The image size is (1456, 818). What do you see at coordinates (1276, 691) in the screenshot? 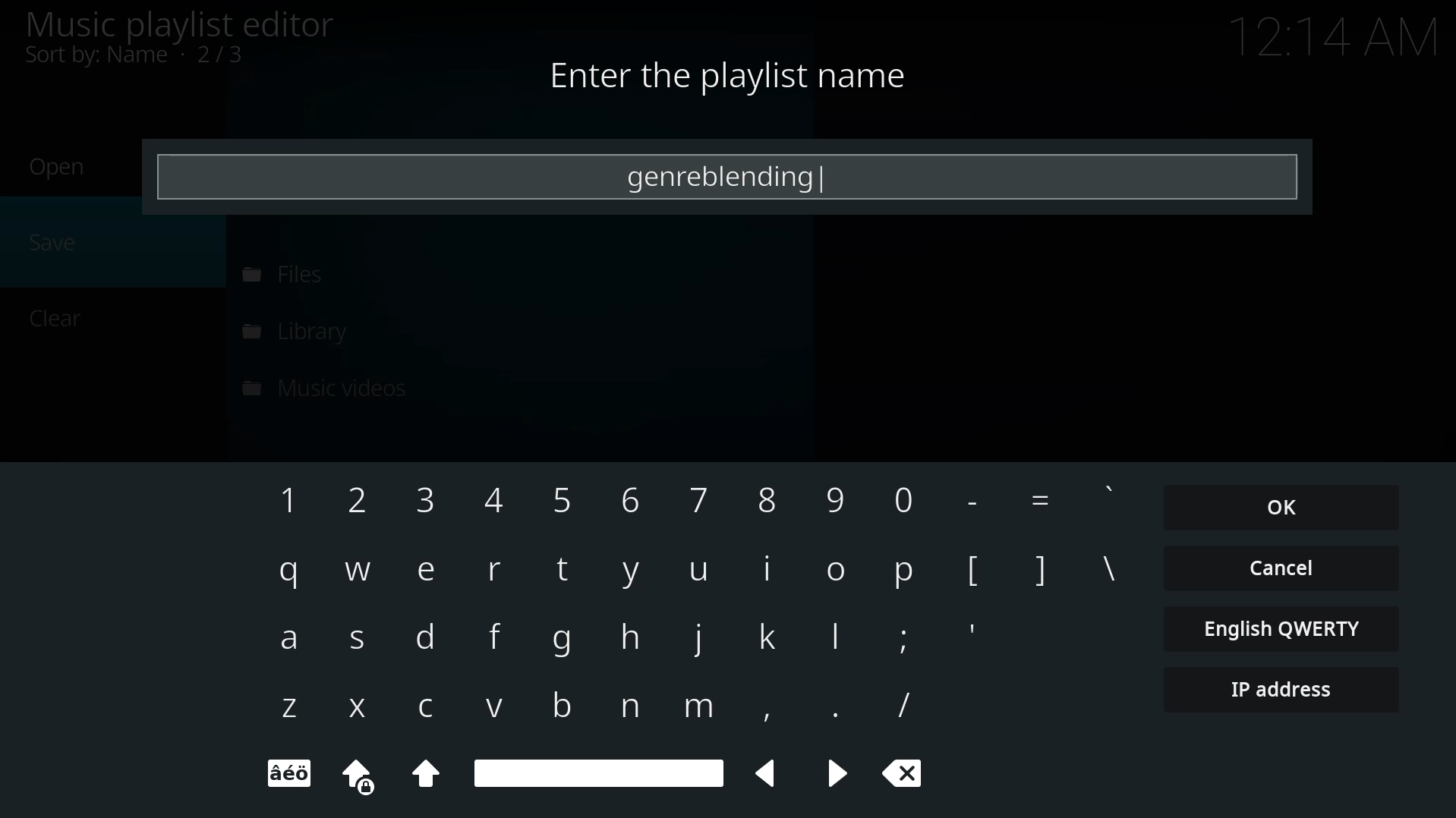
I see `ip address` at bounding box center [1276, 691].